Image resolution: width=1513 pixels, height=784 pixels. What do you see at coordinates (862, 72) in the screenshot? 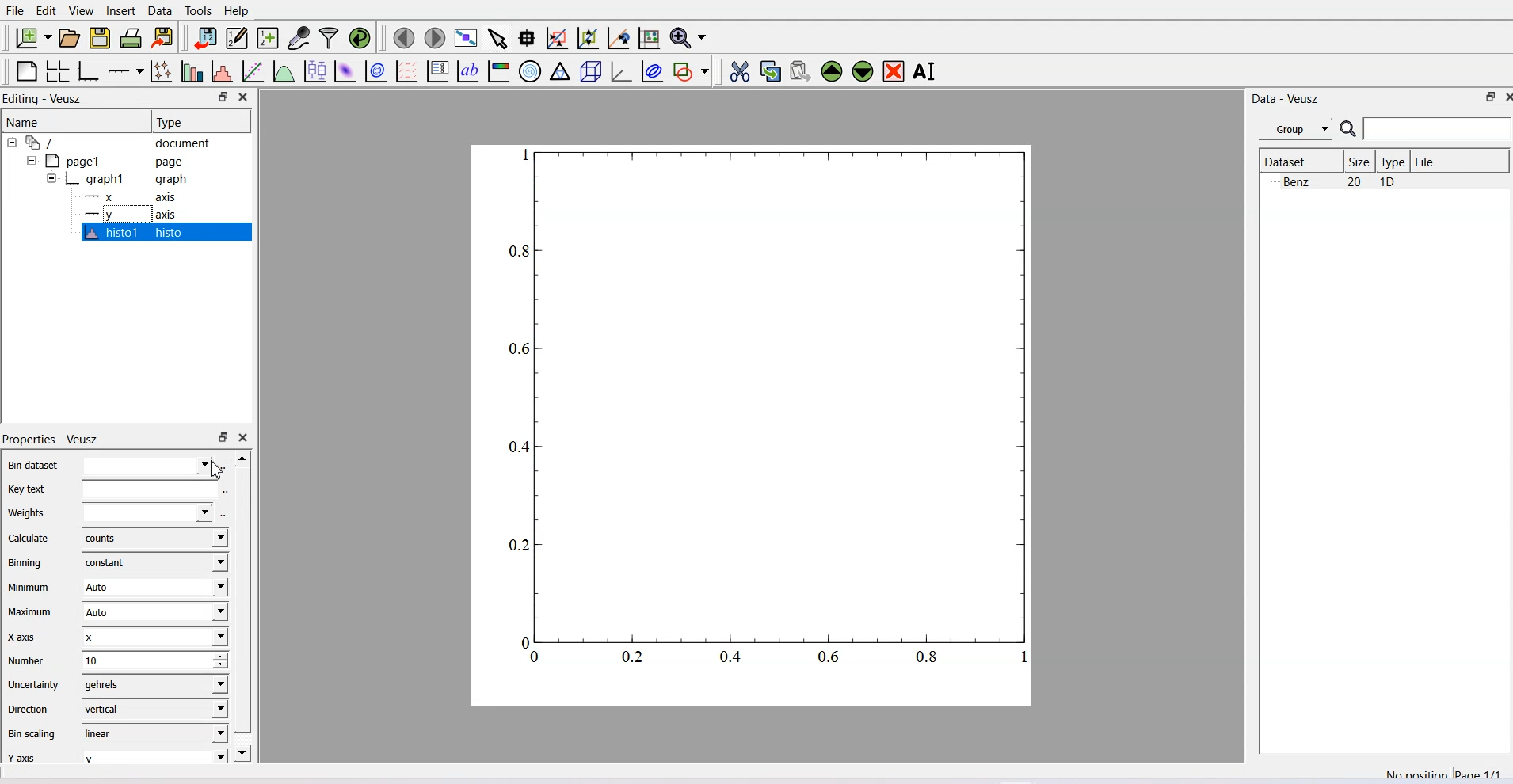
I see `Move the selected widget down` at bounding box center [862, 72].